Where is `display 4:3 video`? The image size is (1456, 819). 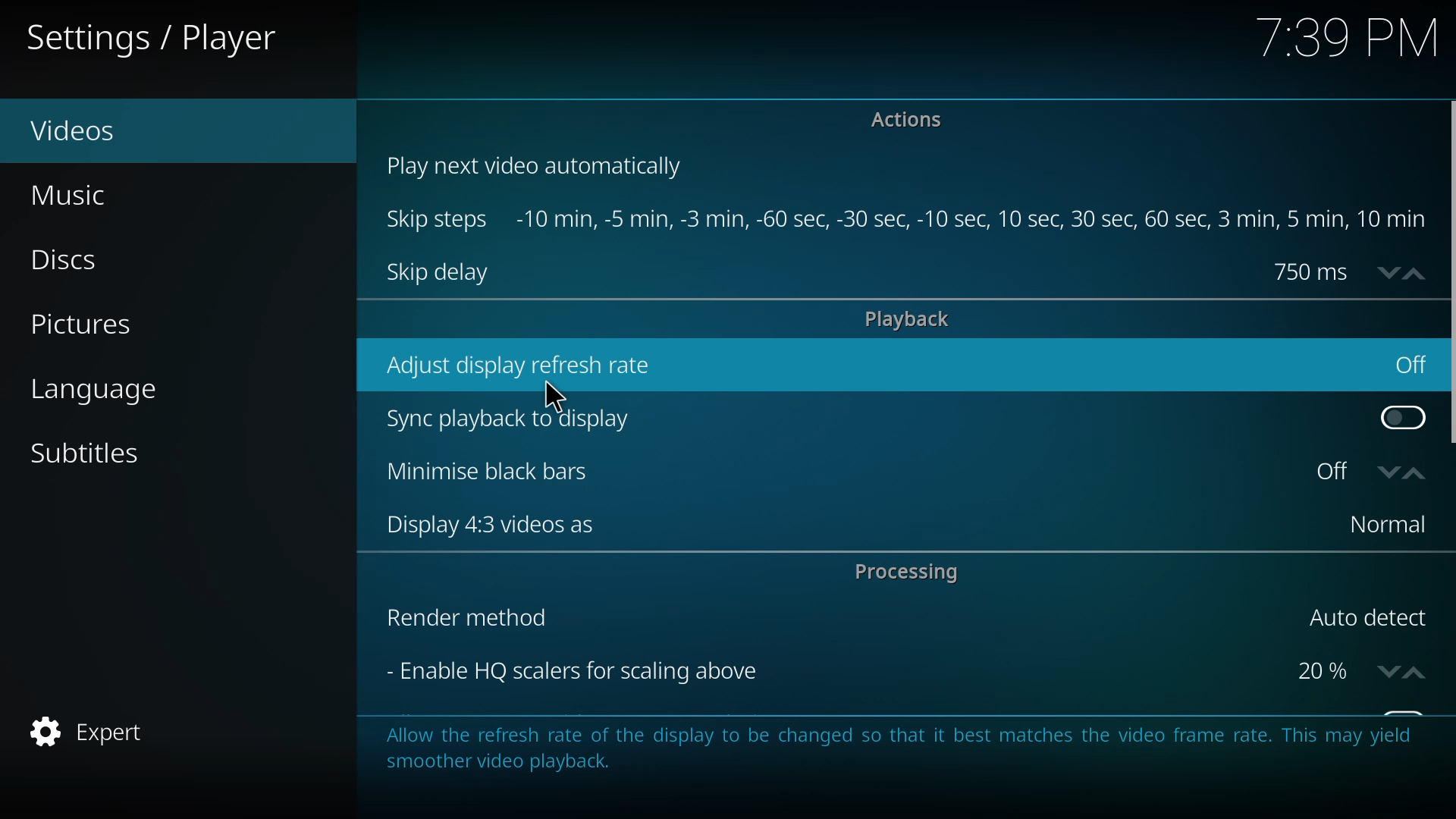 display 4:3 video is located at coordinates (479, 524).